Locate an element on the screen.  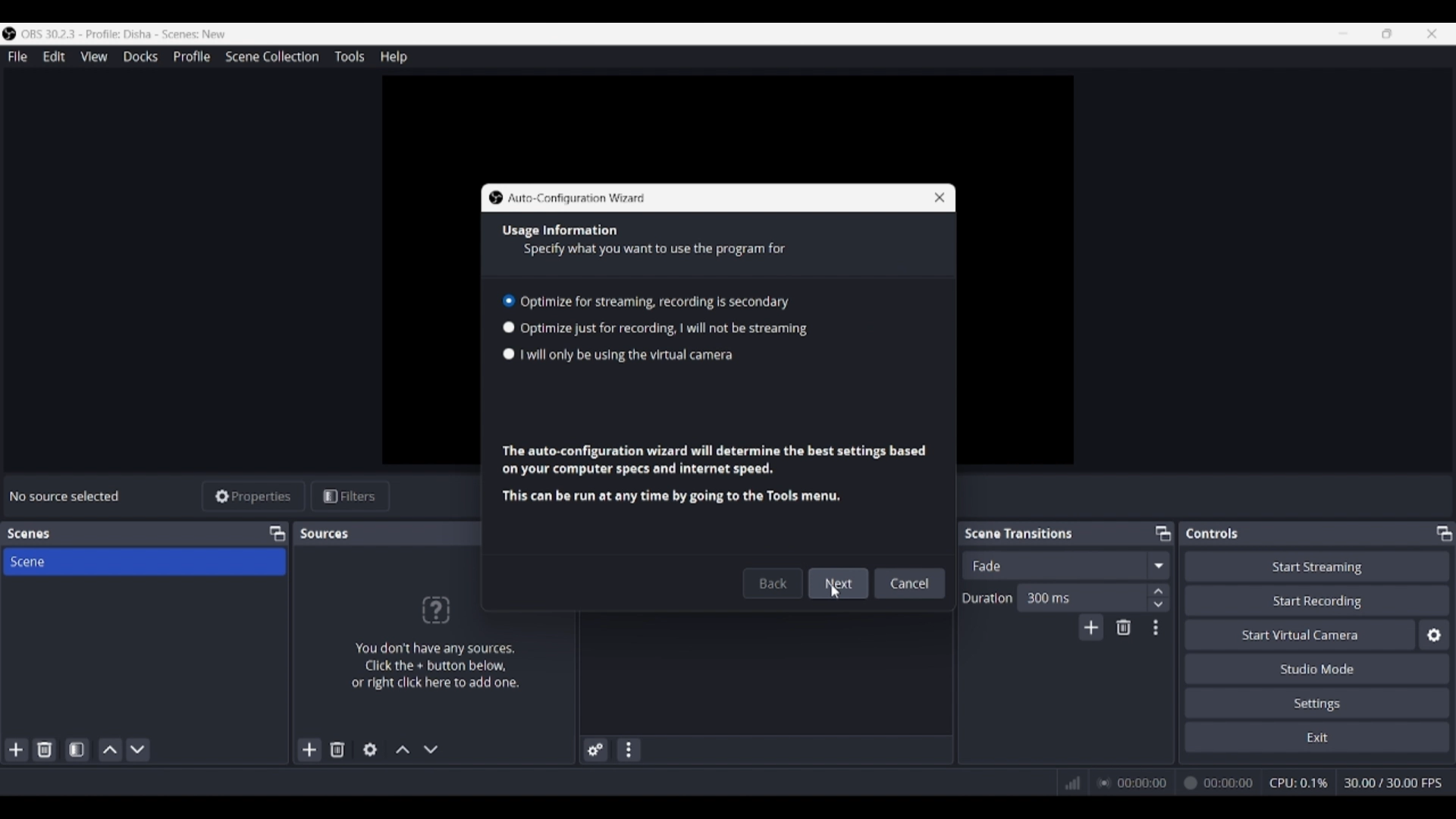
Filters is located at coordinates (350, 497).